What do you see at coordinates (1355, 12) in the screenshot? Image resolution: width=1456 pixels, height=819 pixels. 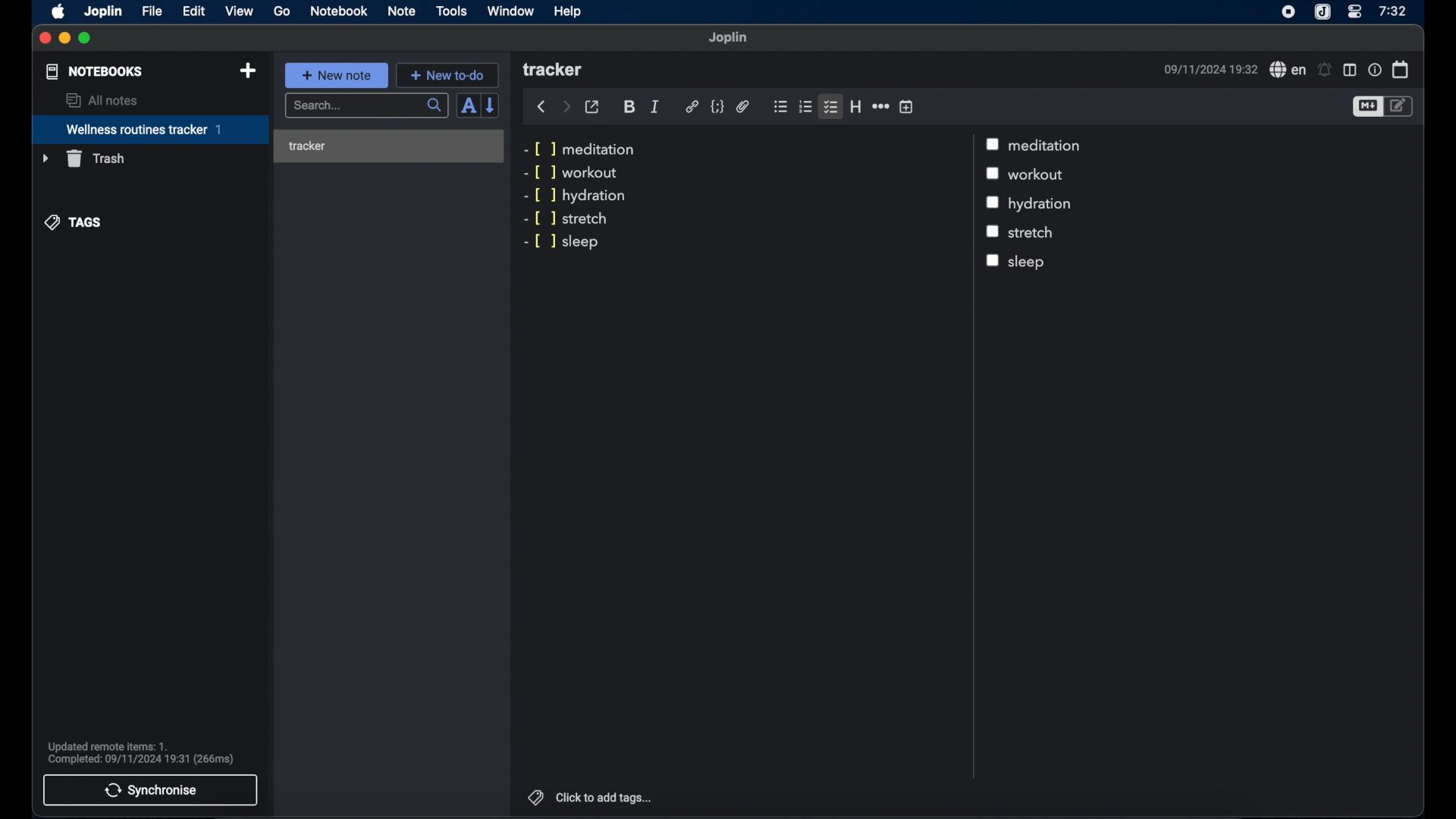 I see `control center` at bounding box center [1355, 12].